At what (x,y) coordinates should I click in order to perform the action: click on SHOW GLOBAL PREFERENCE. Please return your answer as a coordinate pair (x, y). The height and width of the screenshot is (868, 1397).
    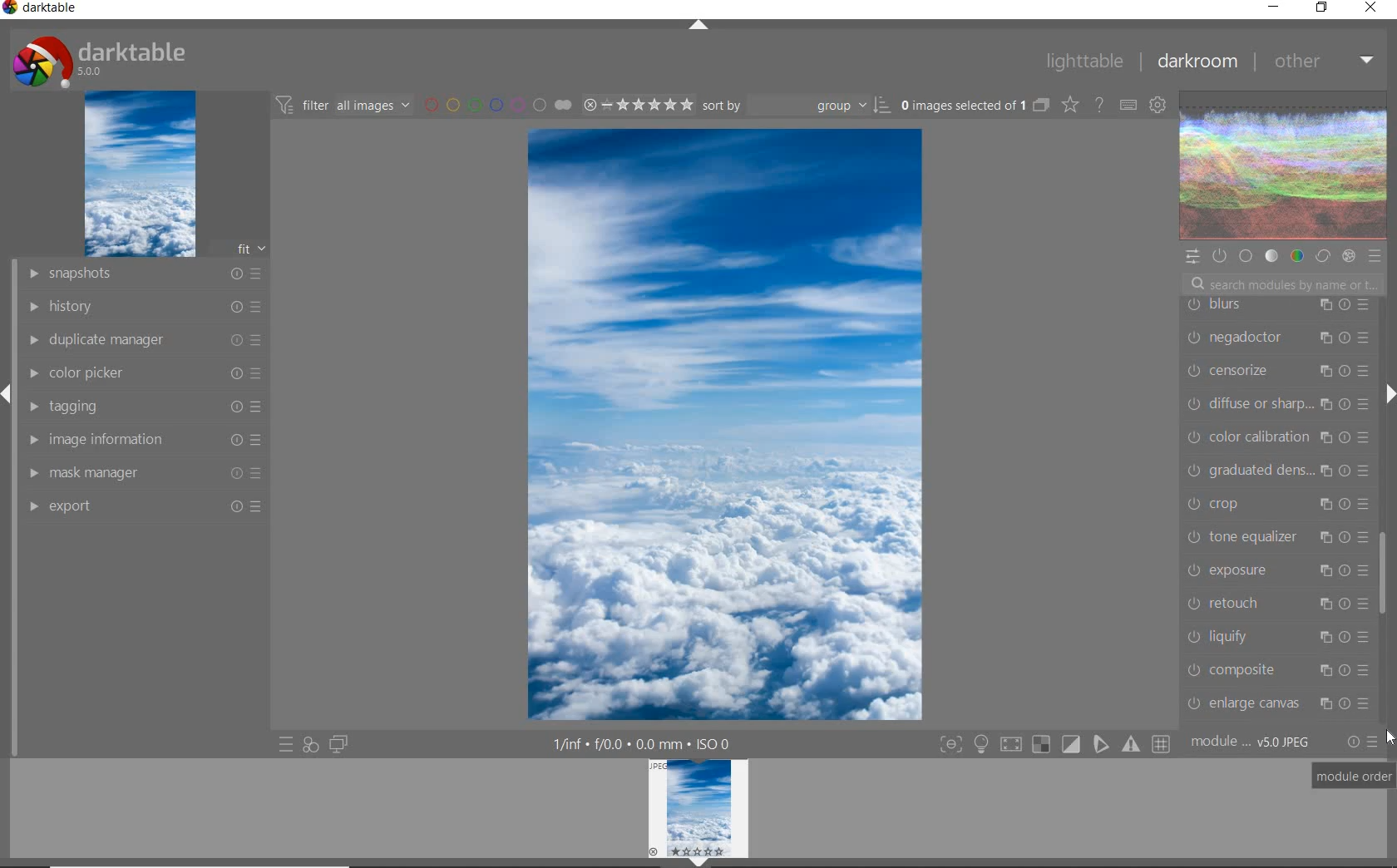
    Looking at the image, I should click on (1157, 106).